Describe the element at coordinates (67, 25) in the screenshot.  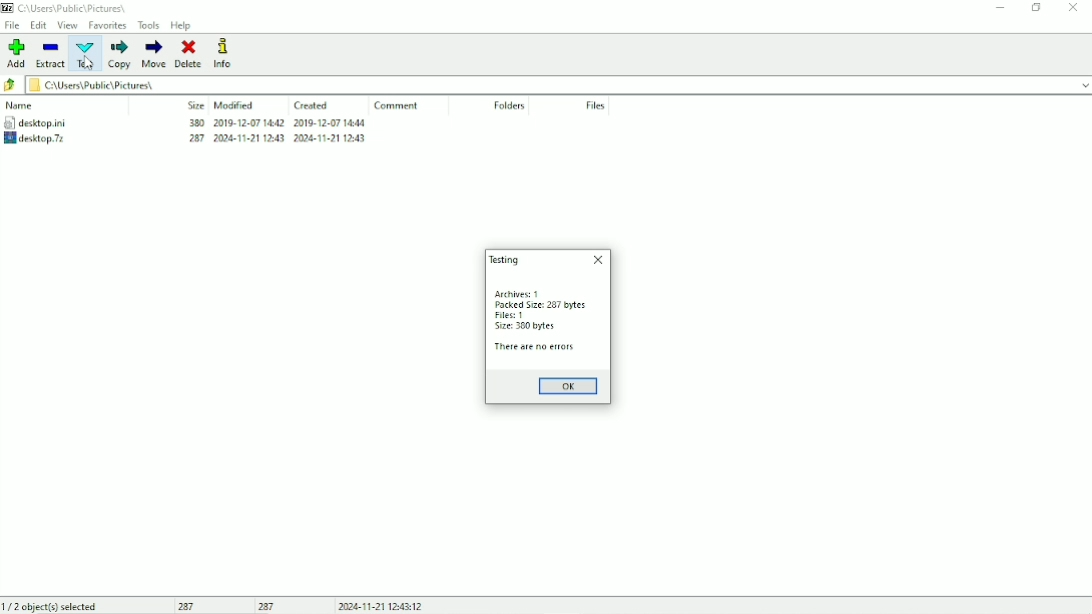
I see `View` at that location.